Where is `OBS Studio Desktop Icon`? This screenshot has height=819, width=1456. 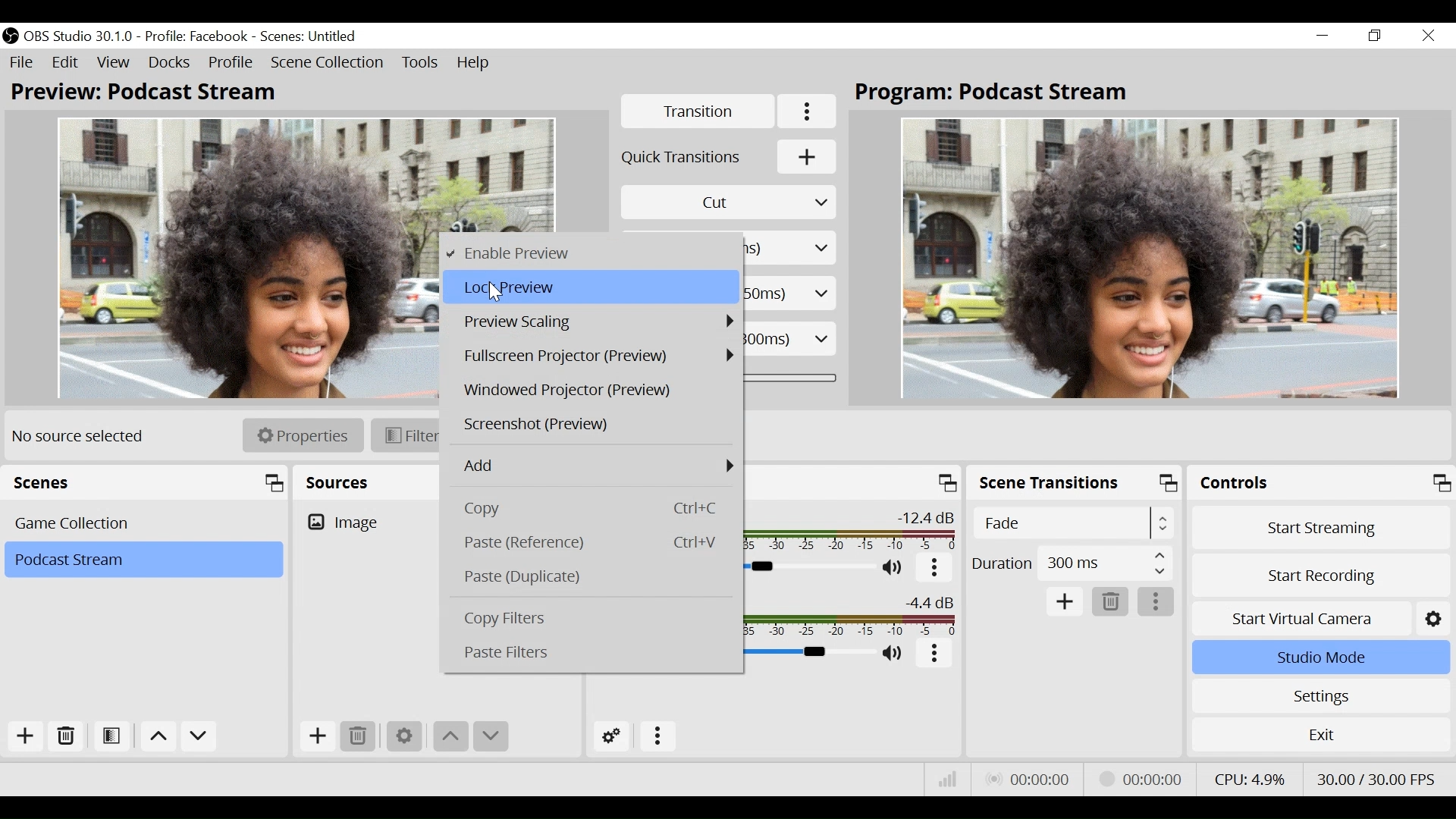 OBS Studio Desktop Icon is located at coordinates (11, 36).